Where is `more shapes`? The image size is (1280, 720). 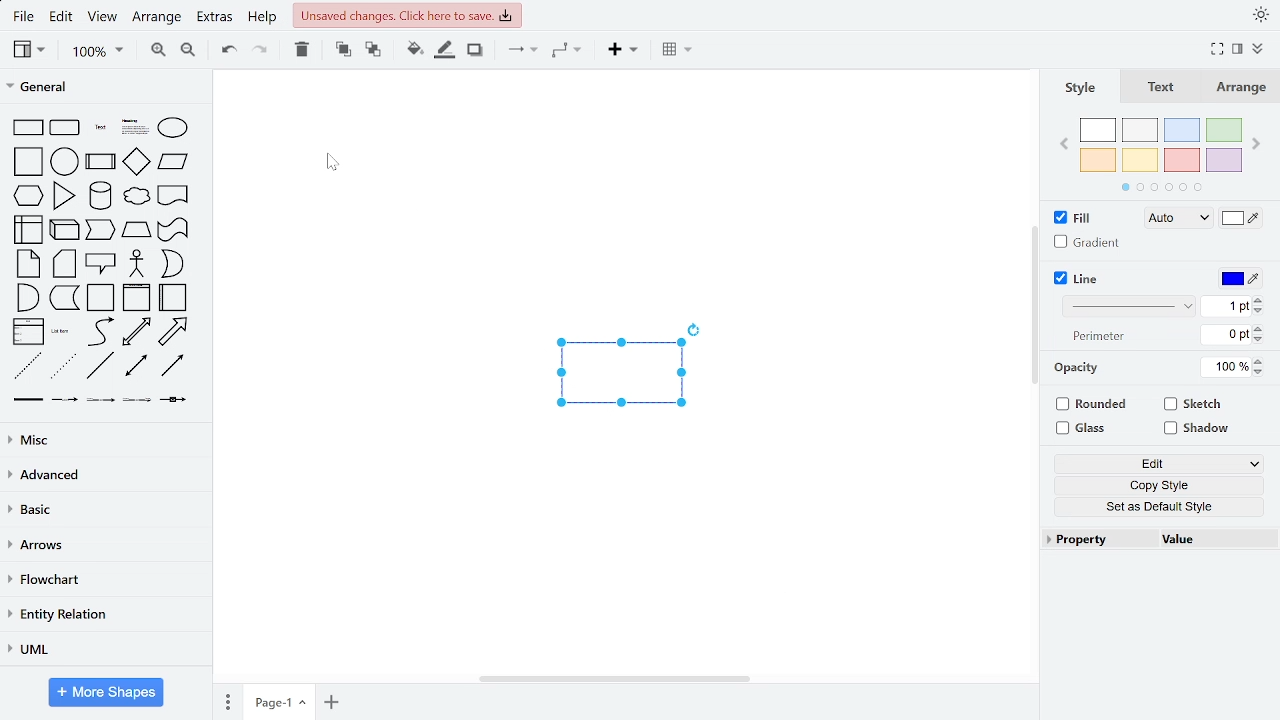
more shapes is located at coordinates (107, 692).